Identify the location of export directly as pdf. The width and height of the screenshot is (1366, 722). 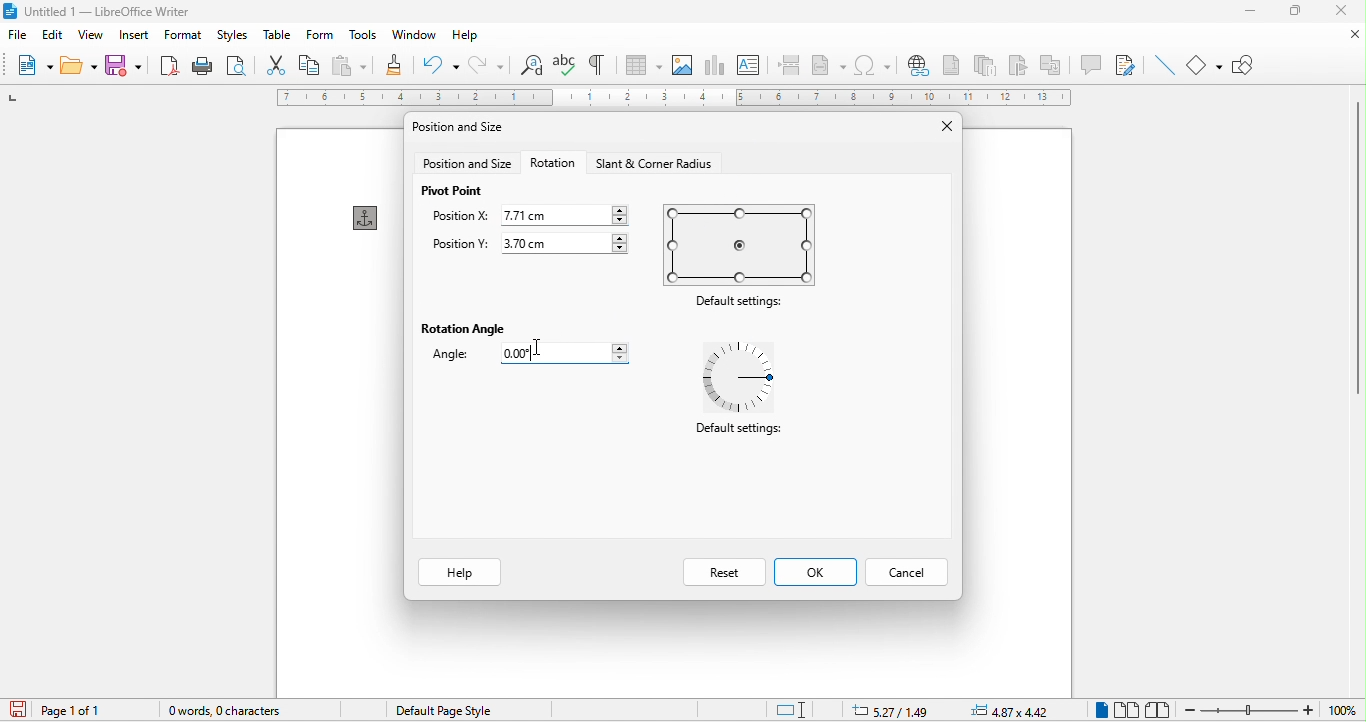
(169, 64).